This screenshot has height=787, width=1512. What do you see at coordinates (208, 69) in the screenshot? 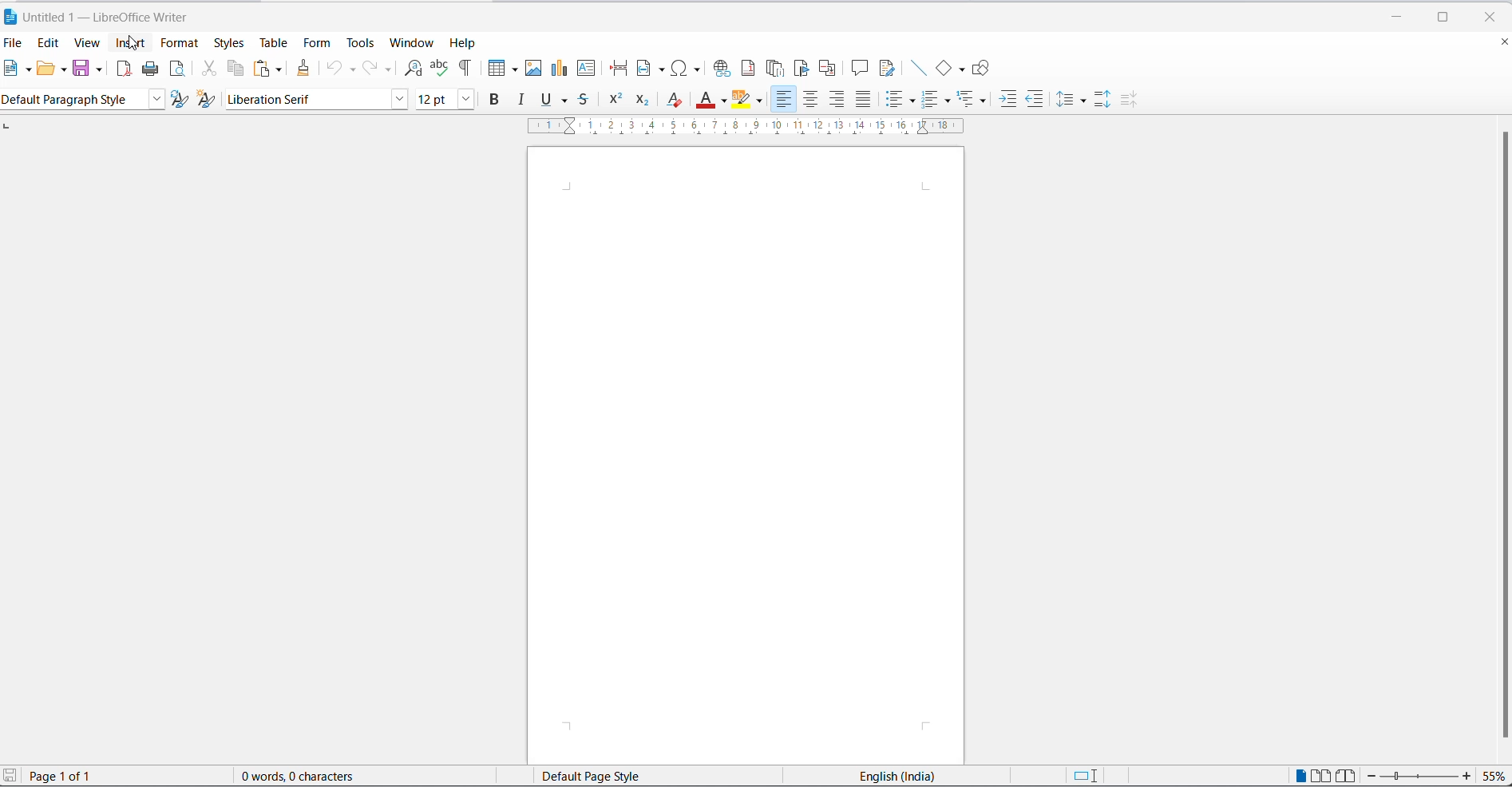
I see `cut` at bounding box center [208, 69].